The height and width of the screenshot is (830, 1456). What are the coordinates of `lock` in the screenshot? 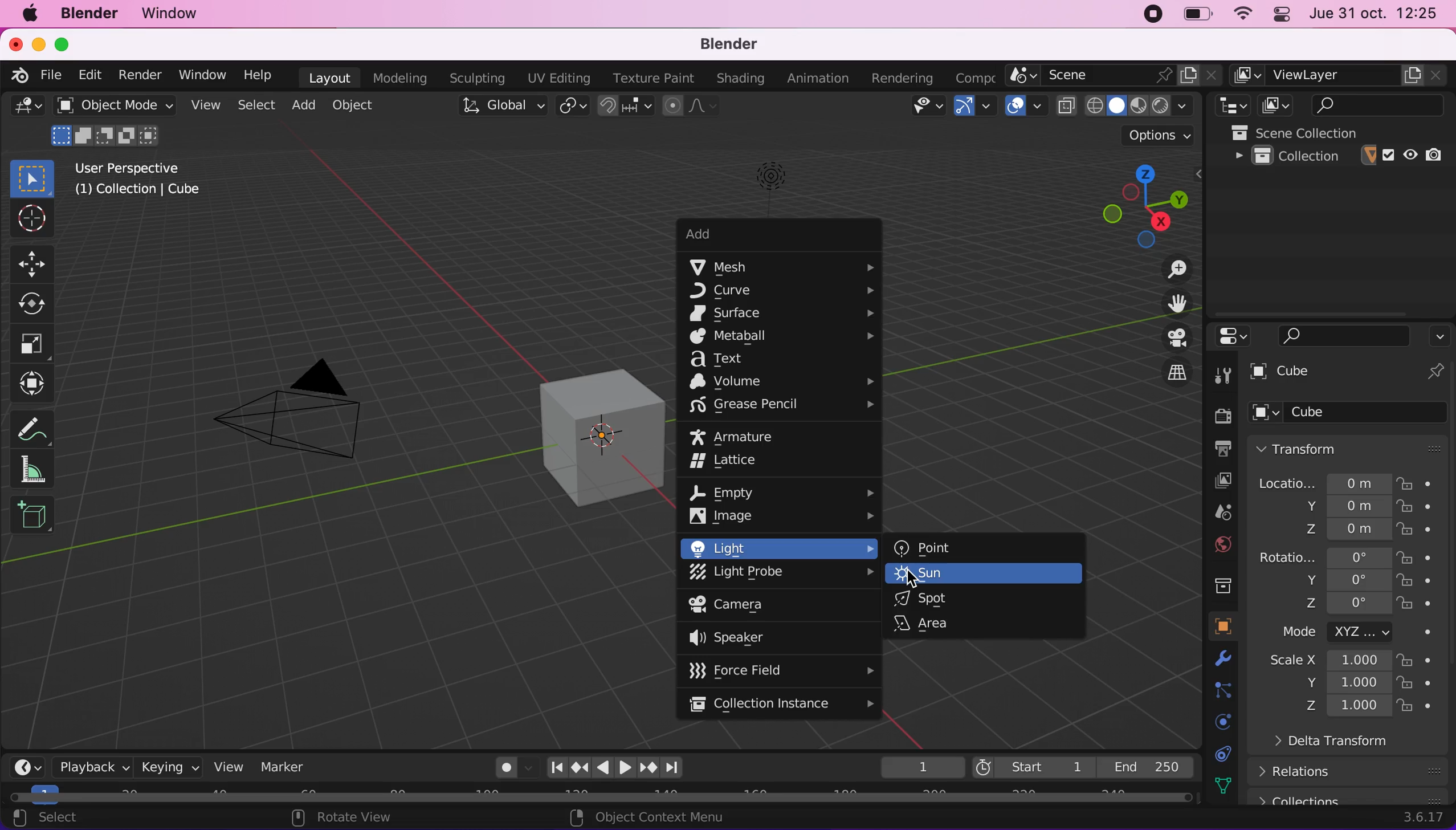 It's located at (1425, 685).